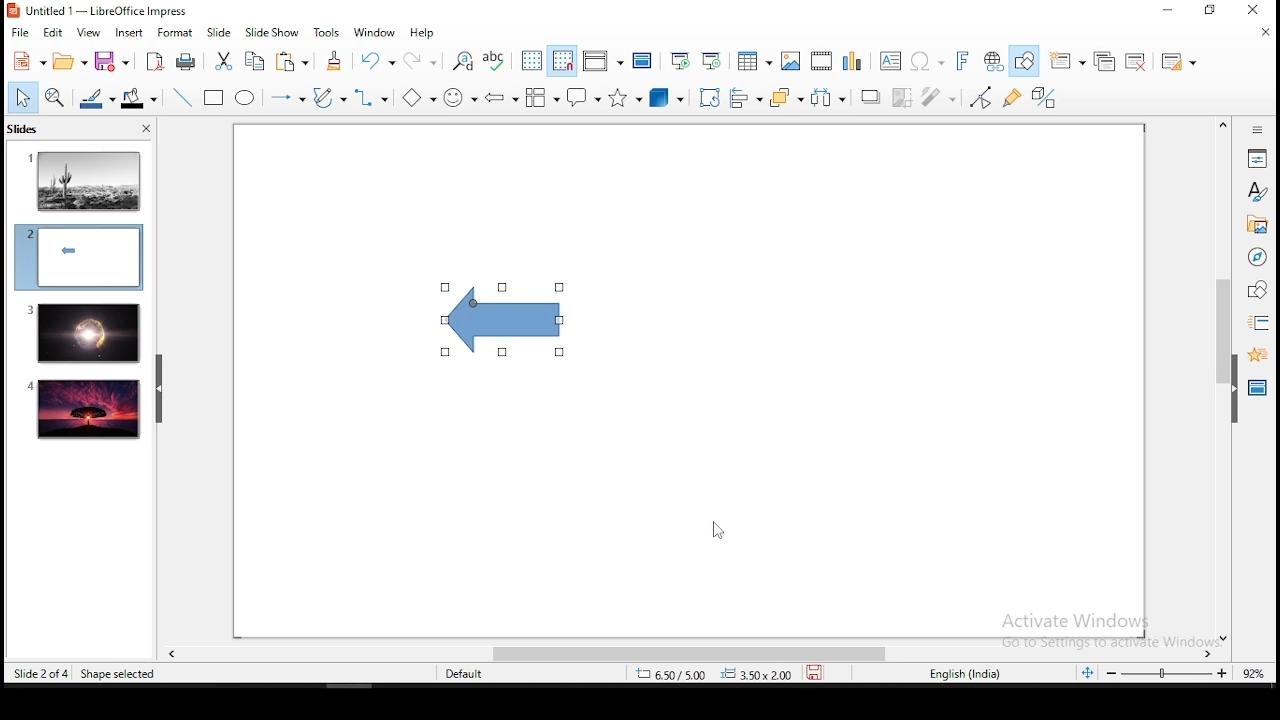 Image resolution: width=1280 pixels, height=720 pixels. Describe the element at coordinates (187, 61) in the screenshot. I see `print` at that location.